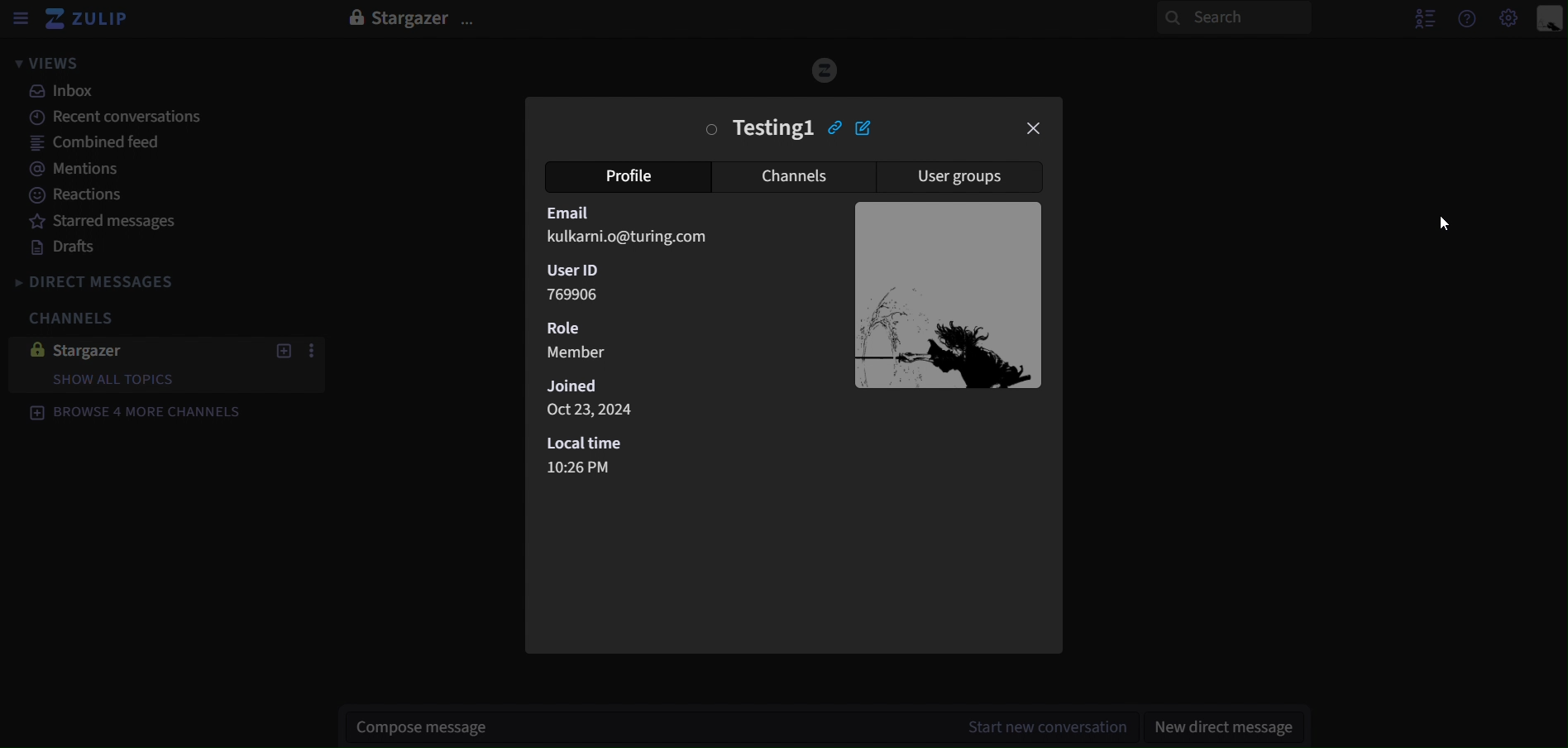  I want to click on image, so click(952, 298).